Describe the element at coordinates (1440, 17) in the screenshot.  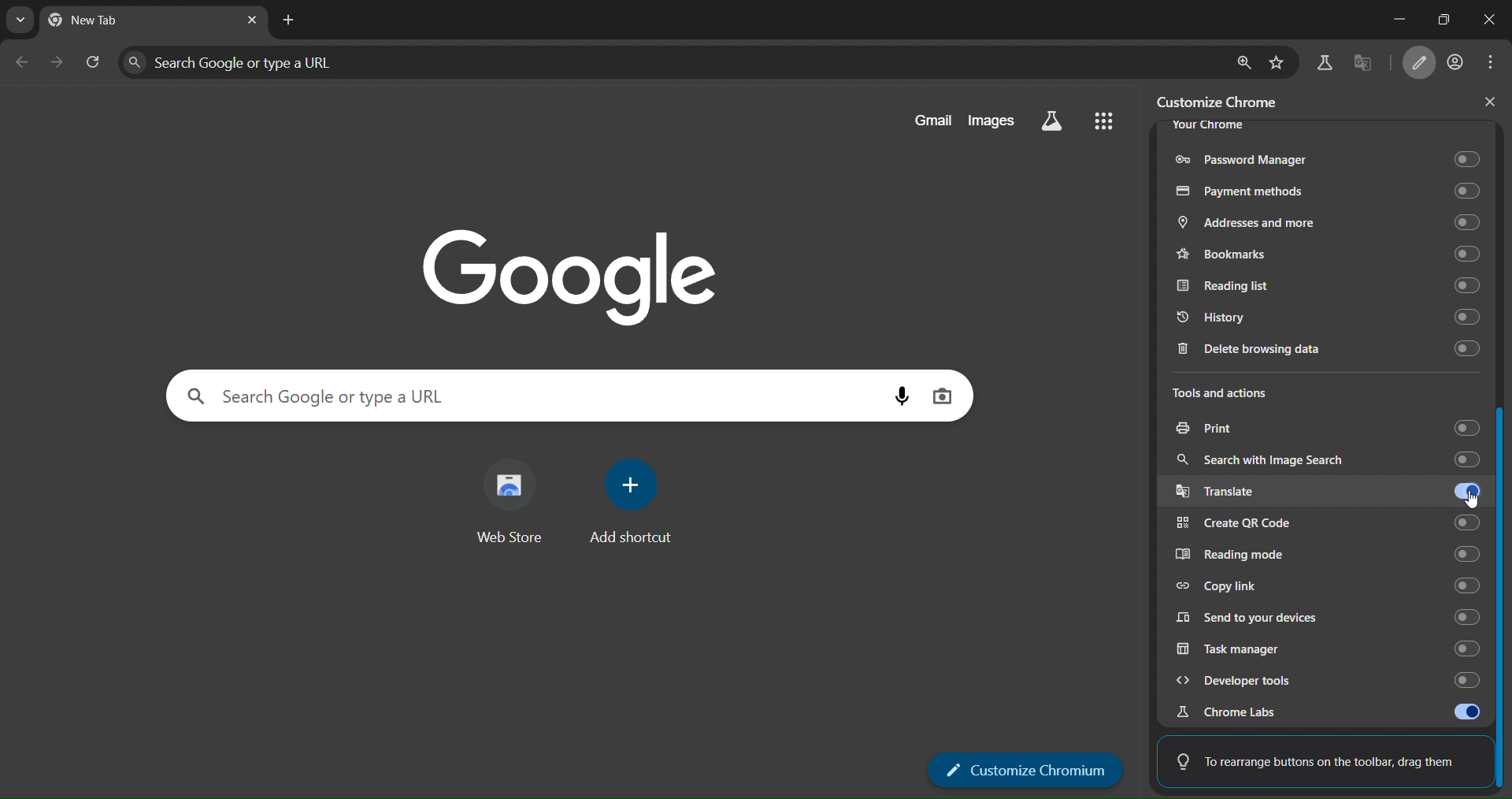
I see `restore down` at that location.